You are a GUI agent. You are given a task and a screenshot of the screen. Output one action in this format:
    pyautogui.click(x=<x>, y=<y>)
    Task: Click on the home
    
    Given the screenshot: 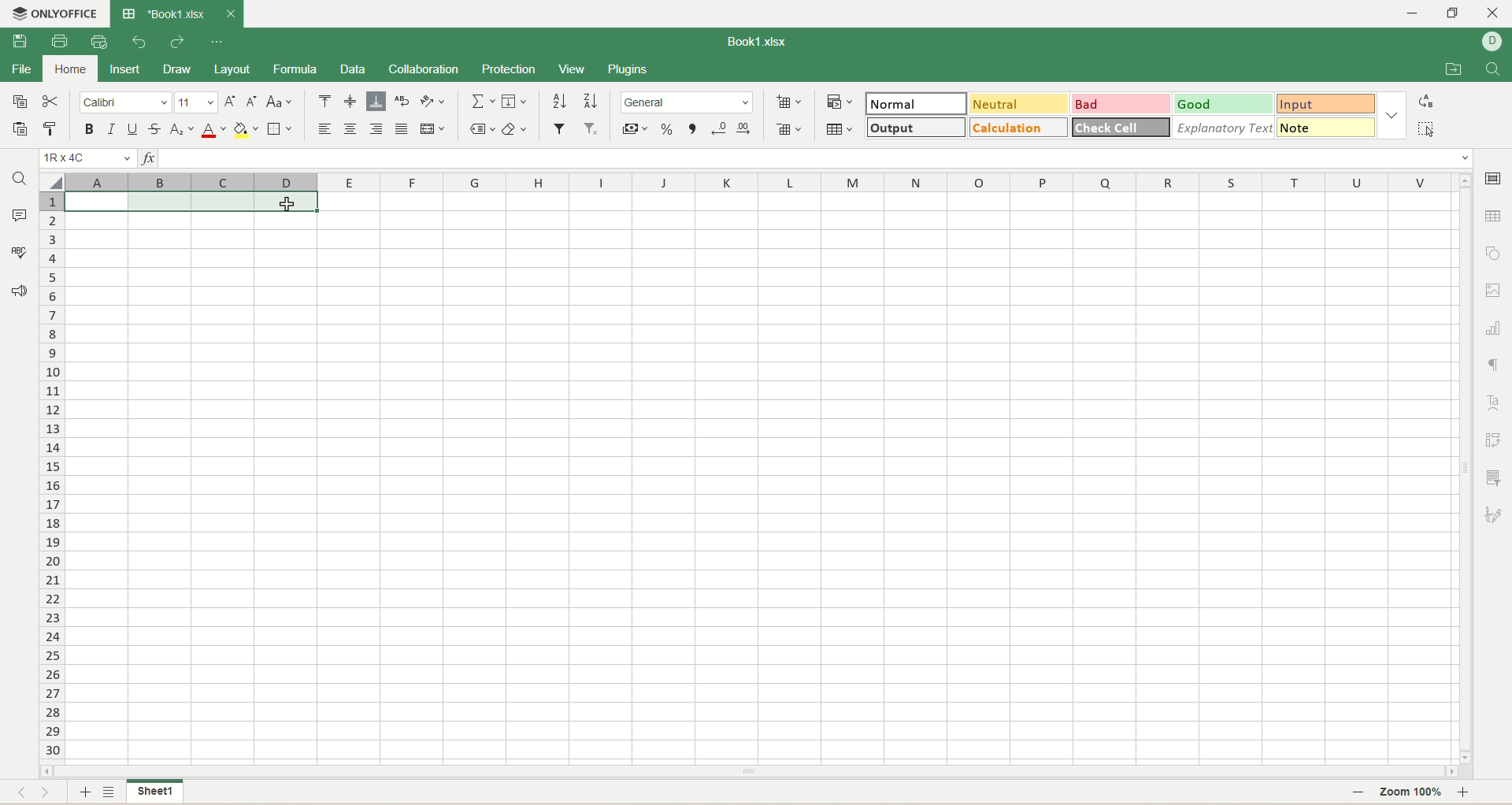 What is the action you would take?
    pyautogui.click(x=65, y=70)
    